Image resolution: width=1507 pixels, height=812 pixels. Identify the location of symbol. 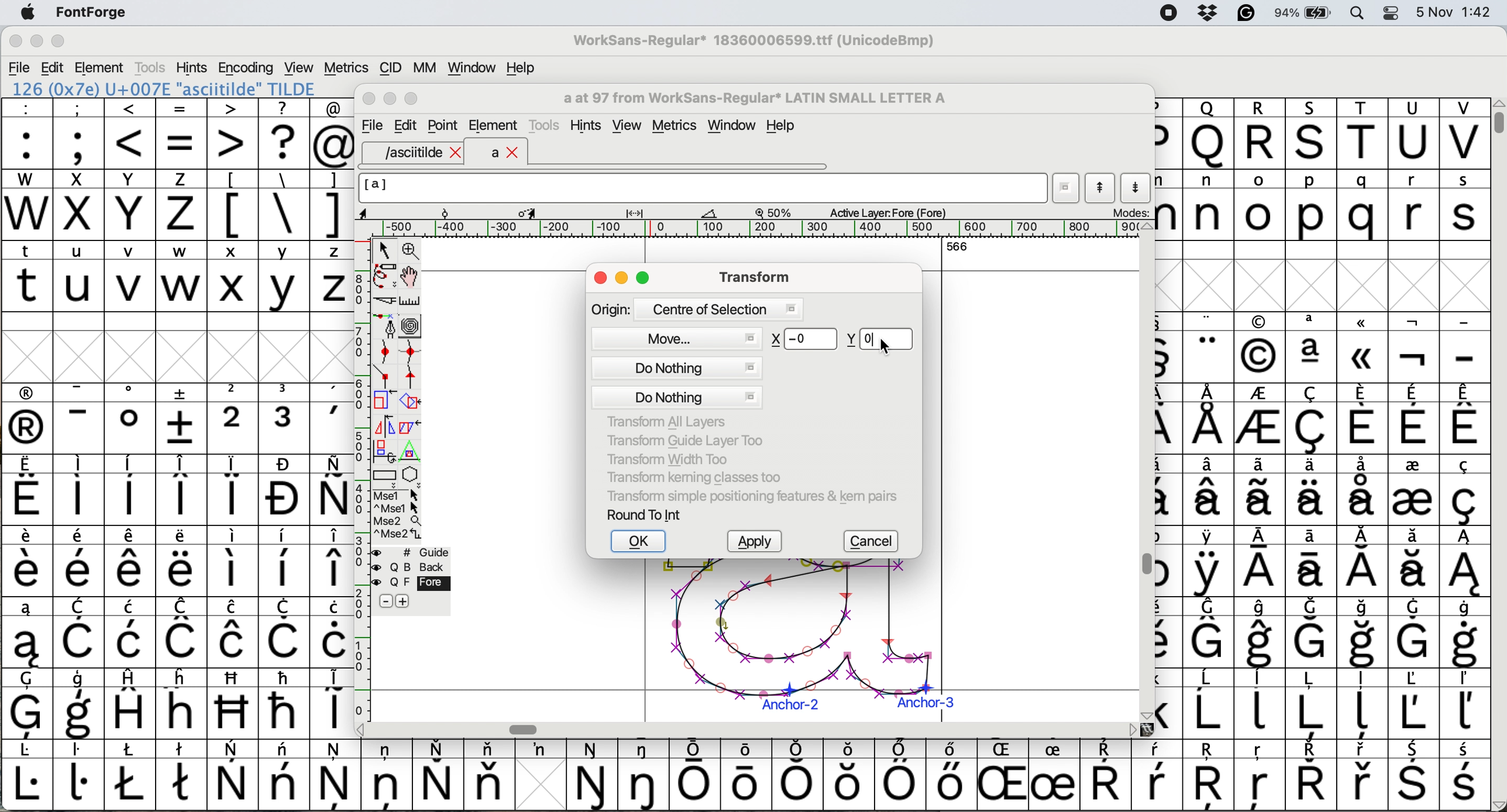
(183, 632).